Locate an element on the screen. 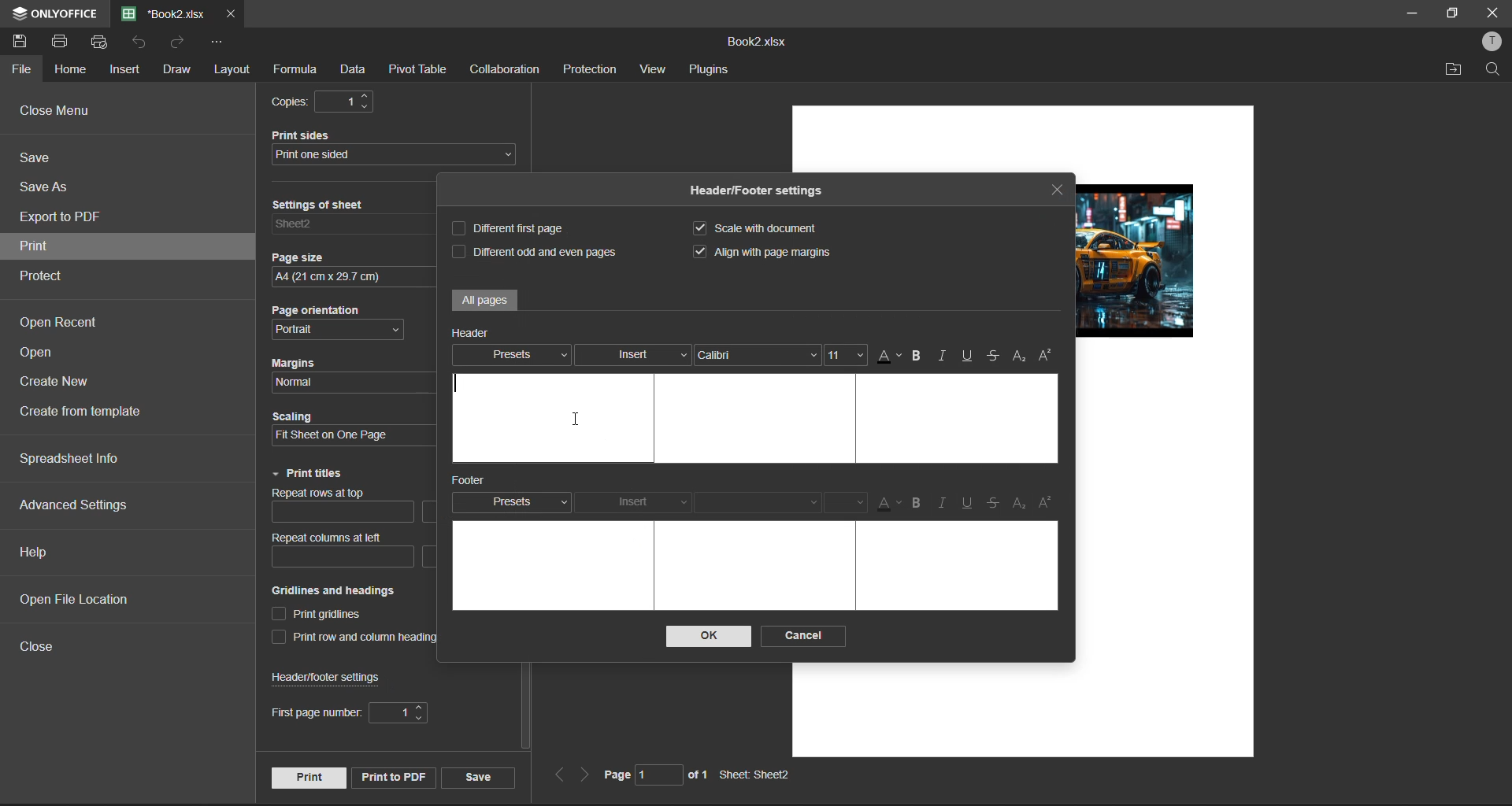 The image size is (1512, 806). close is located at coordinates (44, 650).